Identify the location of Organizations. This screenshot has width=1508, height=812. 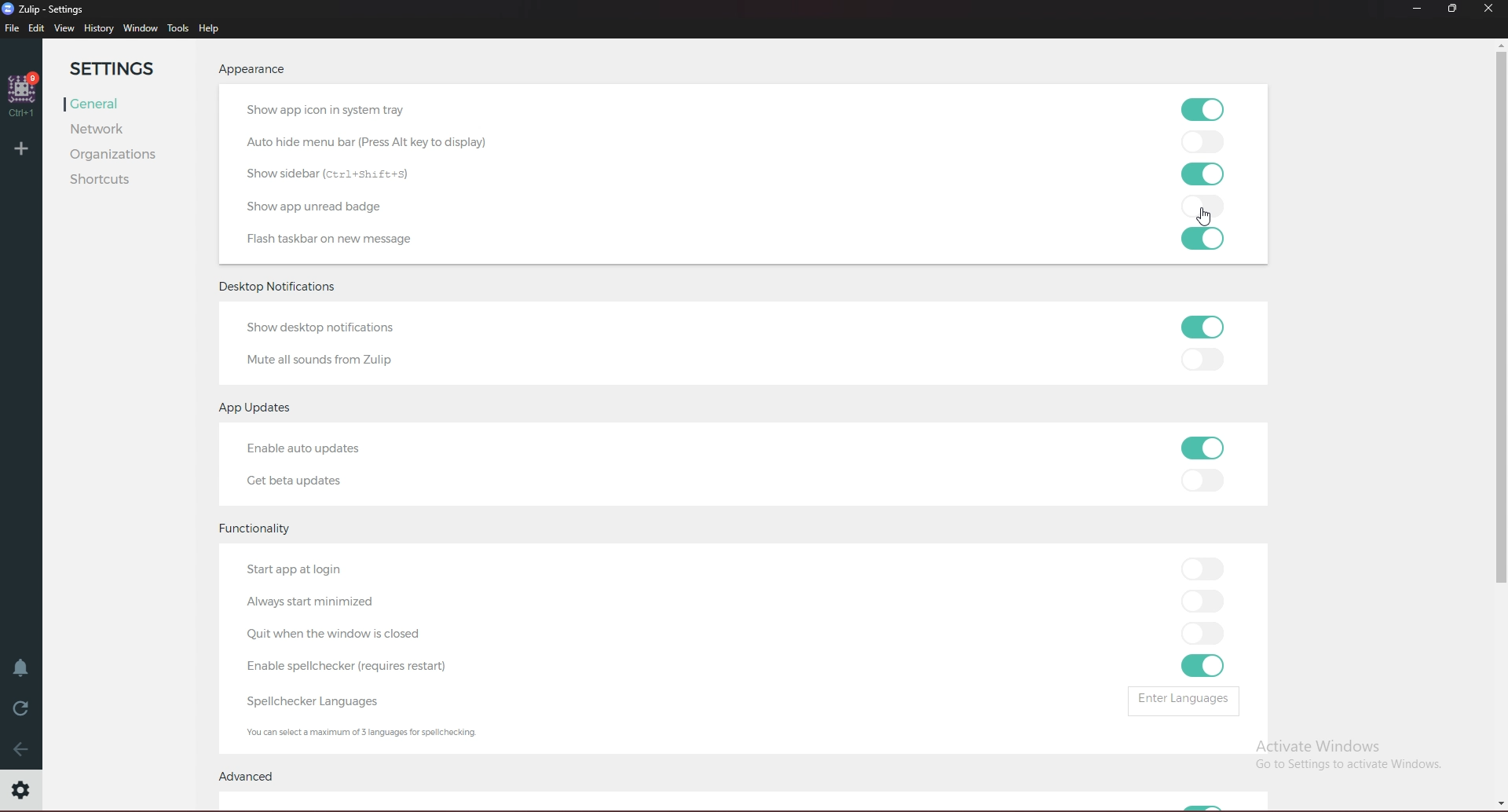
(122, 155).